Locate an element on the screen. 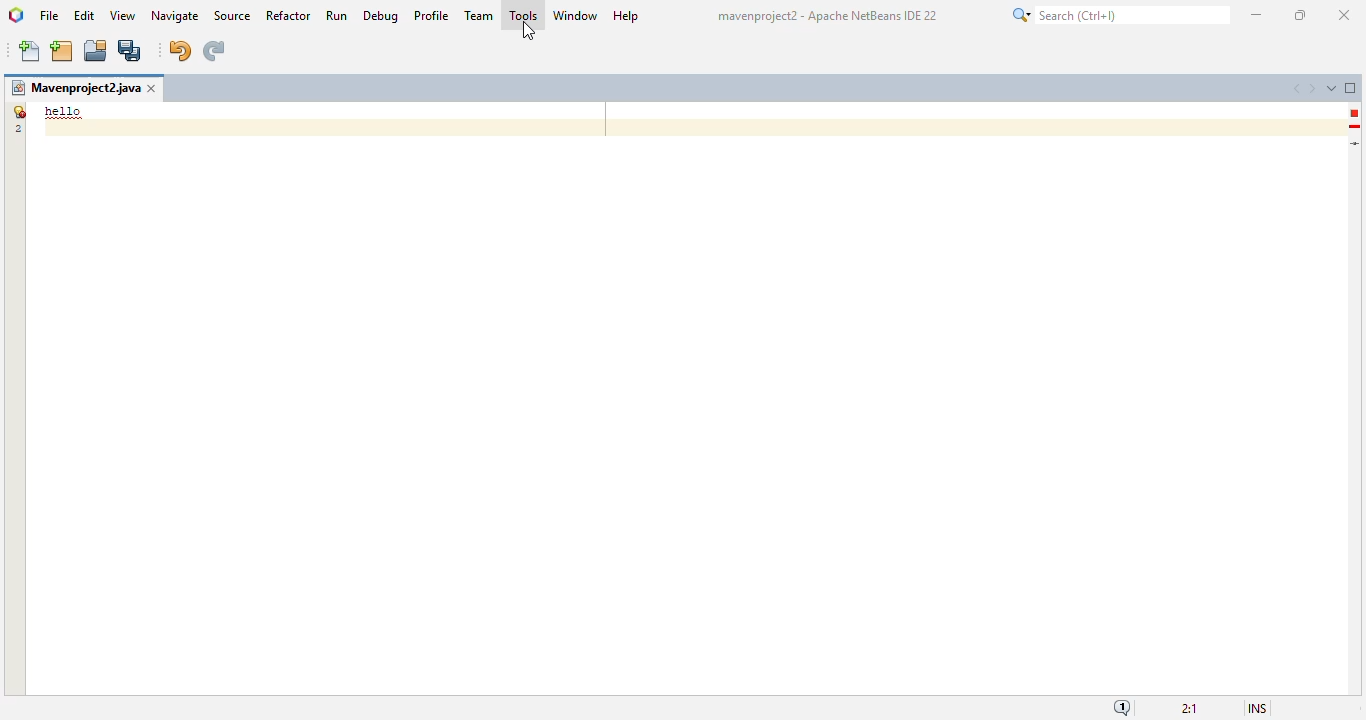 The image size is (1366, 720). show opened documents list is located at coordinates (1331, 88).